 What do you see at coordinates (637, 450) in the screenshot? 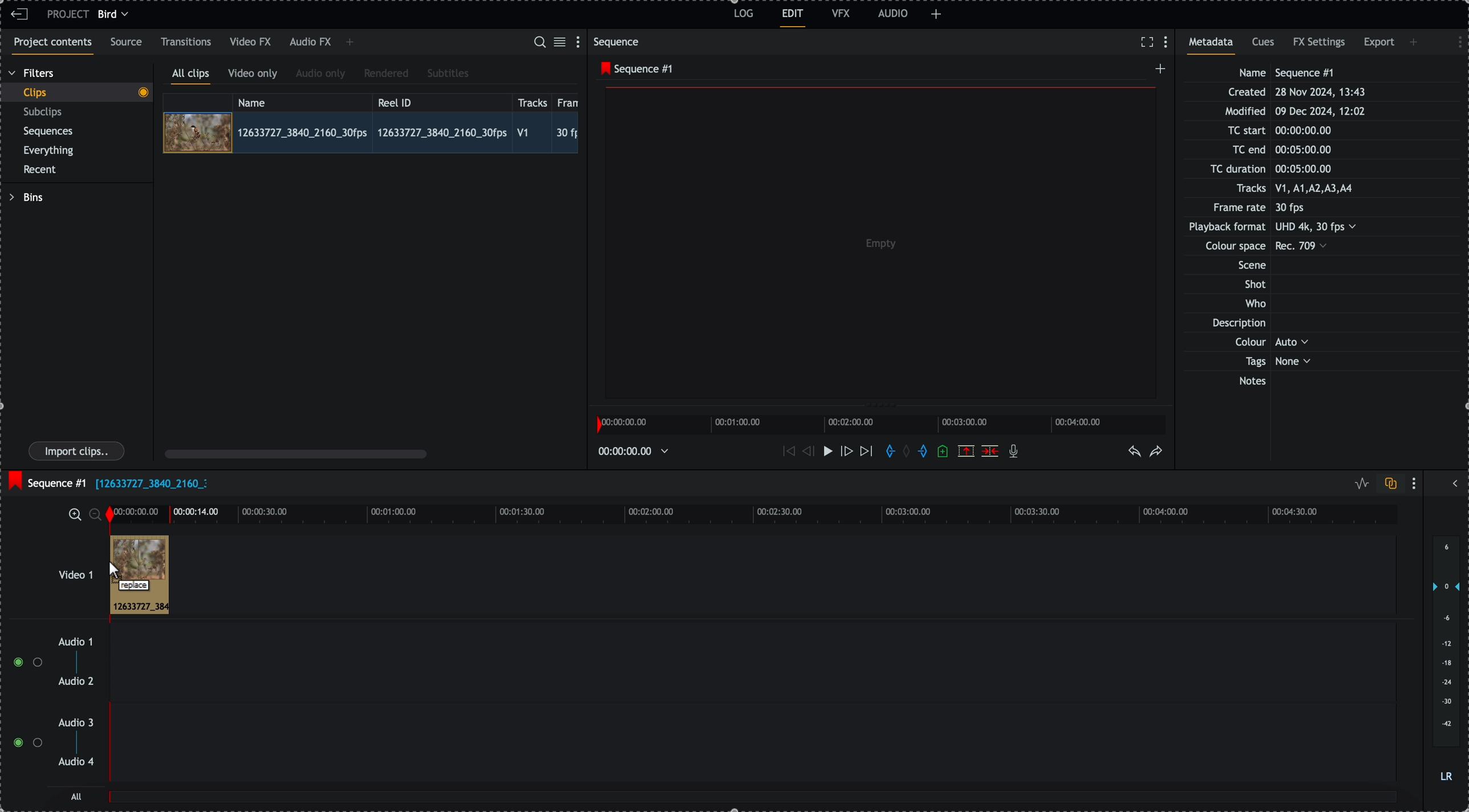
I see `timeline` at bounding box center [637, 450].